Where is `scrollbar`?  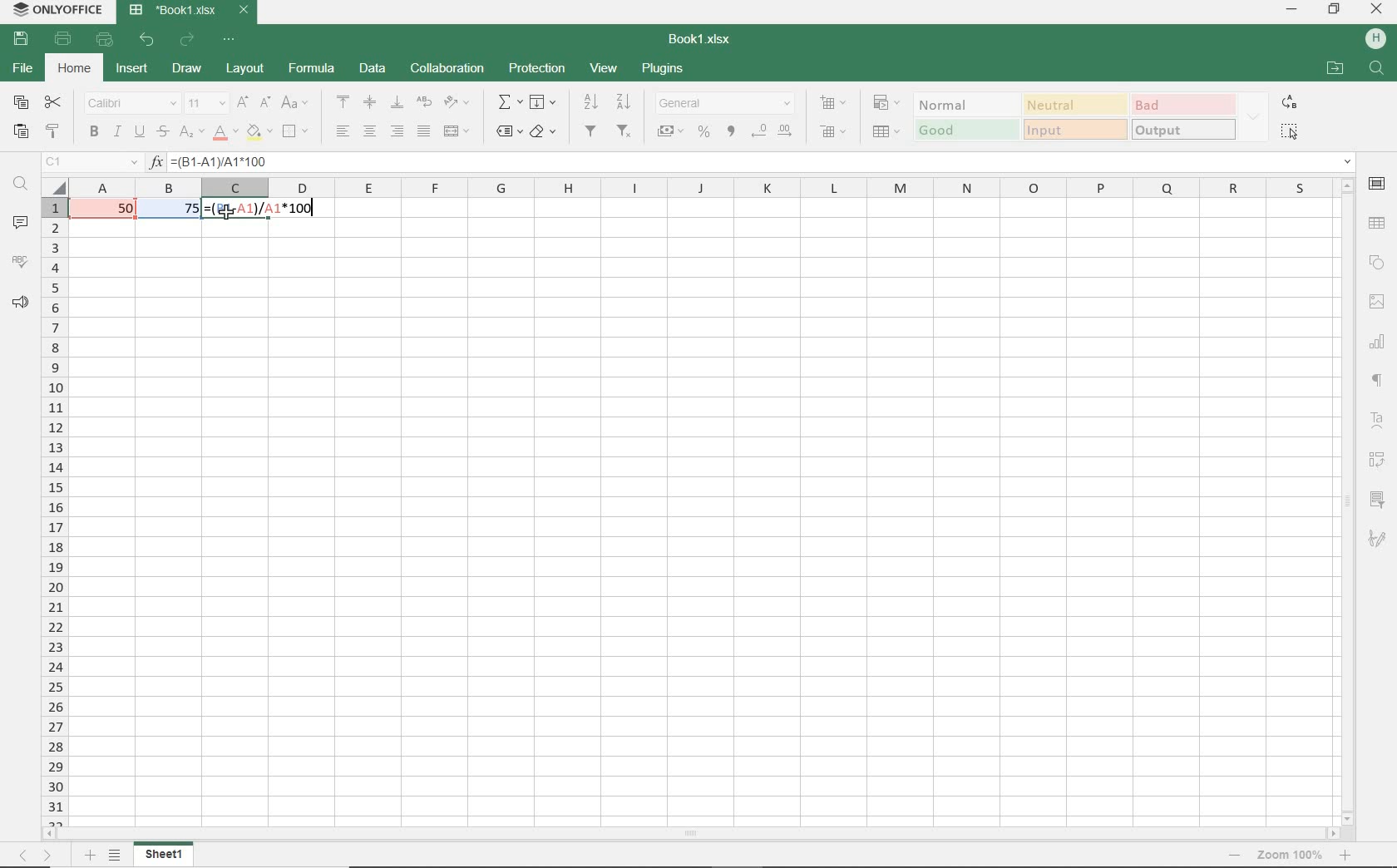
scrollbar is located at coordinates (1350, 501).